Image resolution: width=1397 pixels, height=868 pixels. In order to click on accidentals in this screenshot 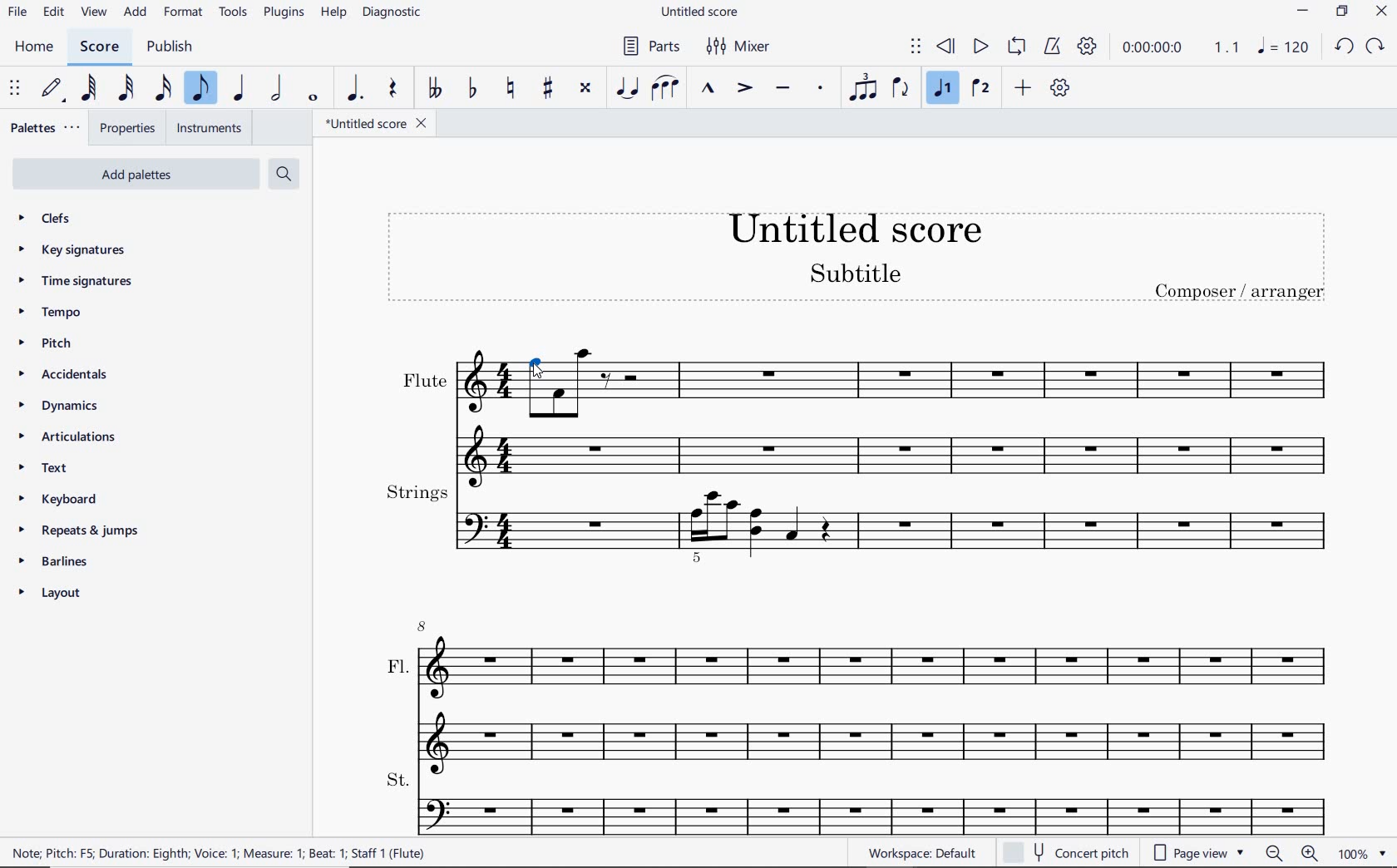, I will do `click(62, 376)`.